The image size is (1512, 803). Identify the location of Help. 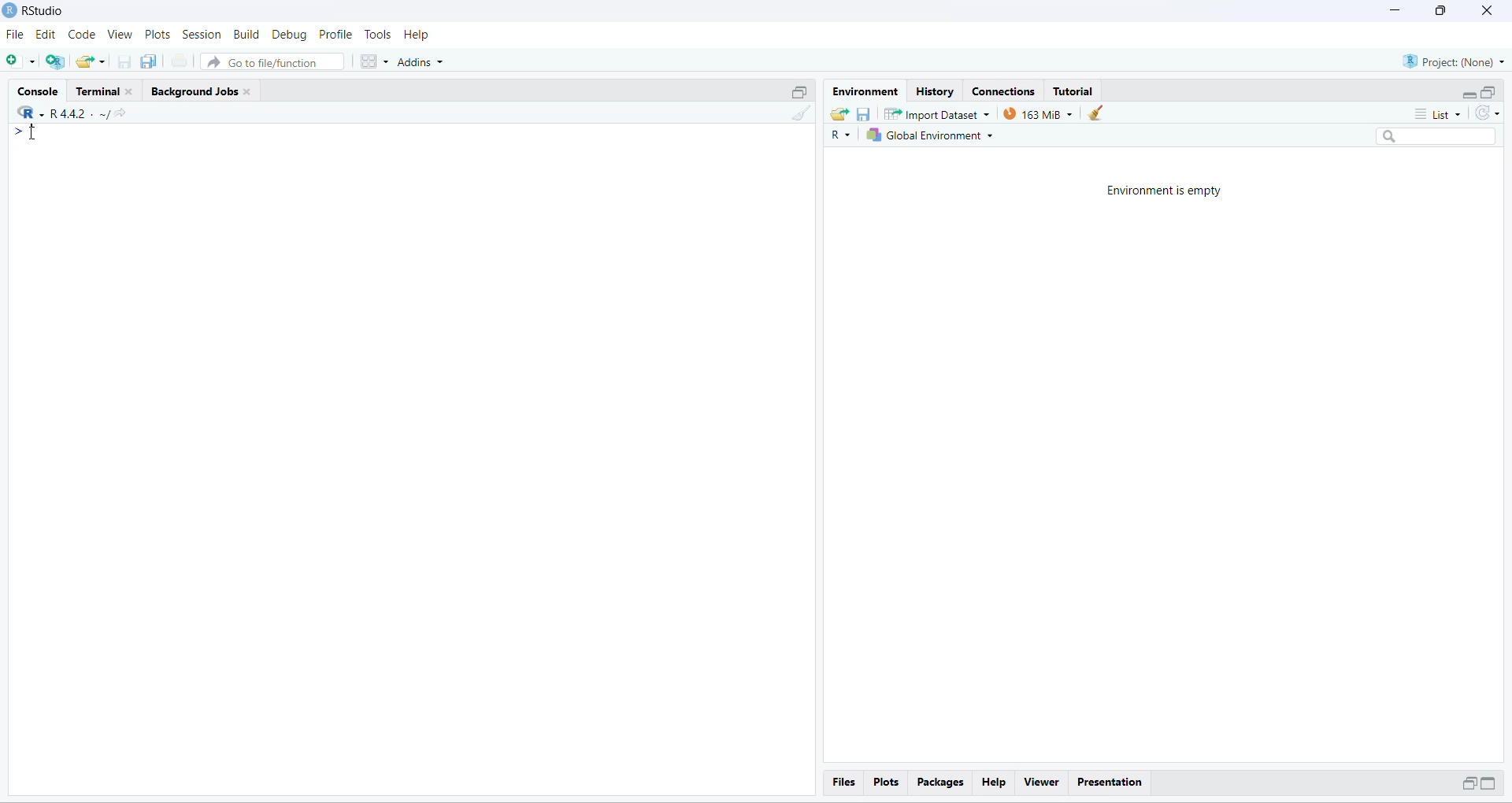
(993, 783).